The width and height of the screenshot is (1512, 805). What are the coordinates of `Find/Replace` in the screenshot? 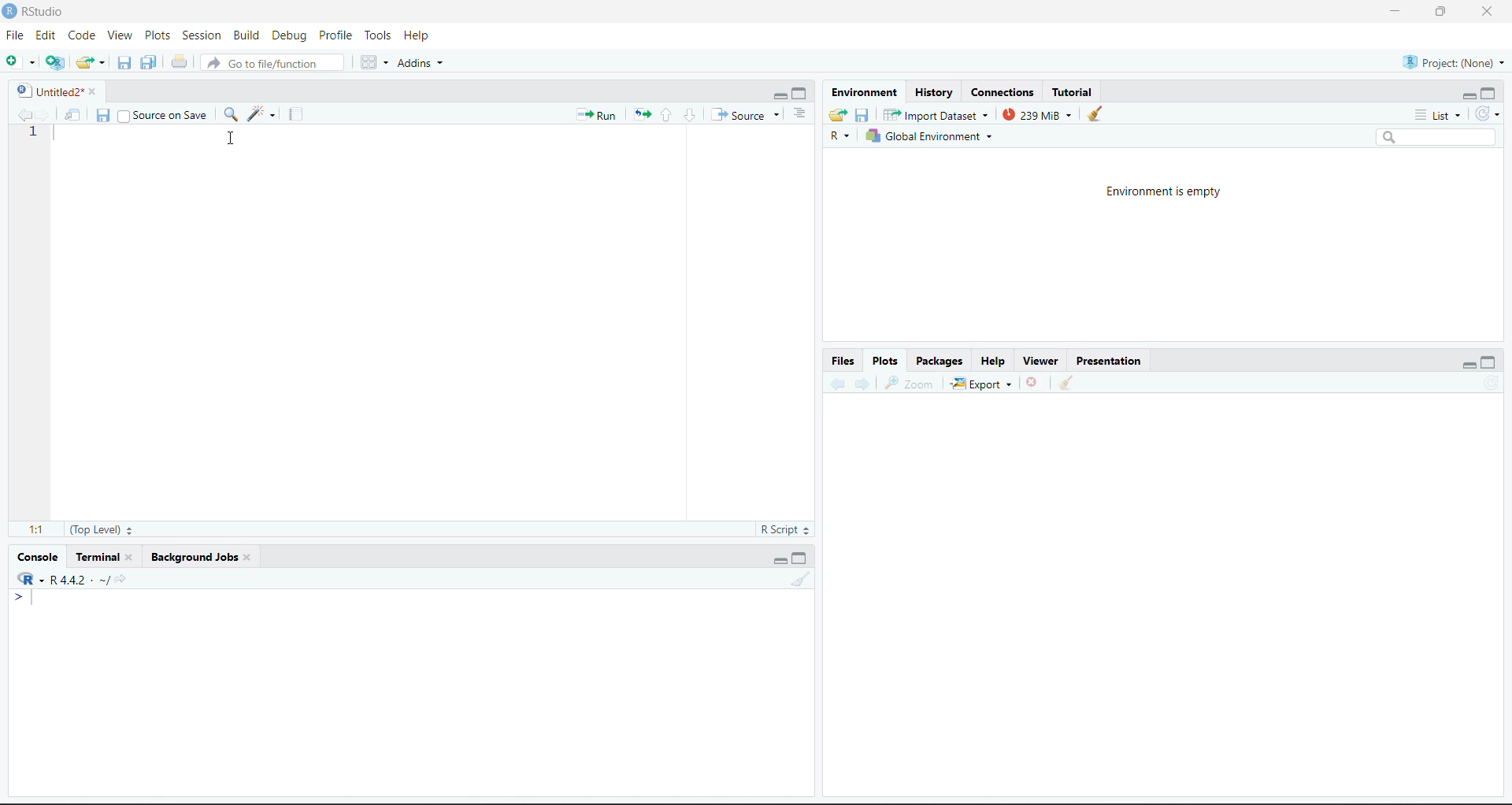 It's located at (231, 113).